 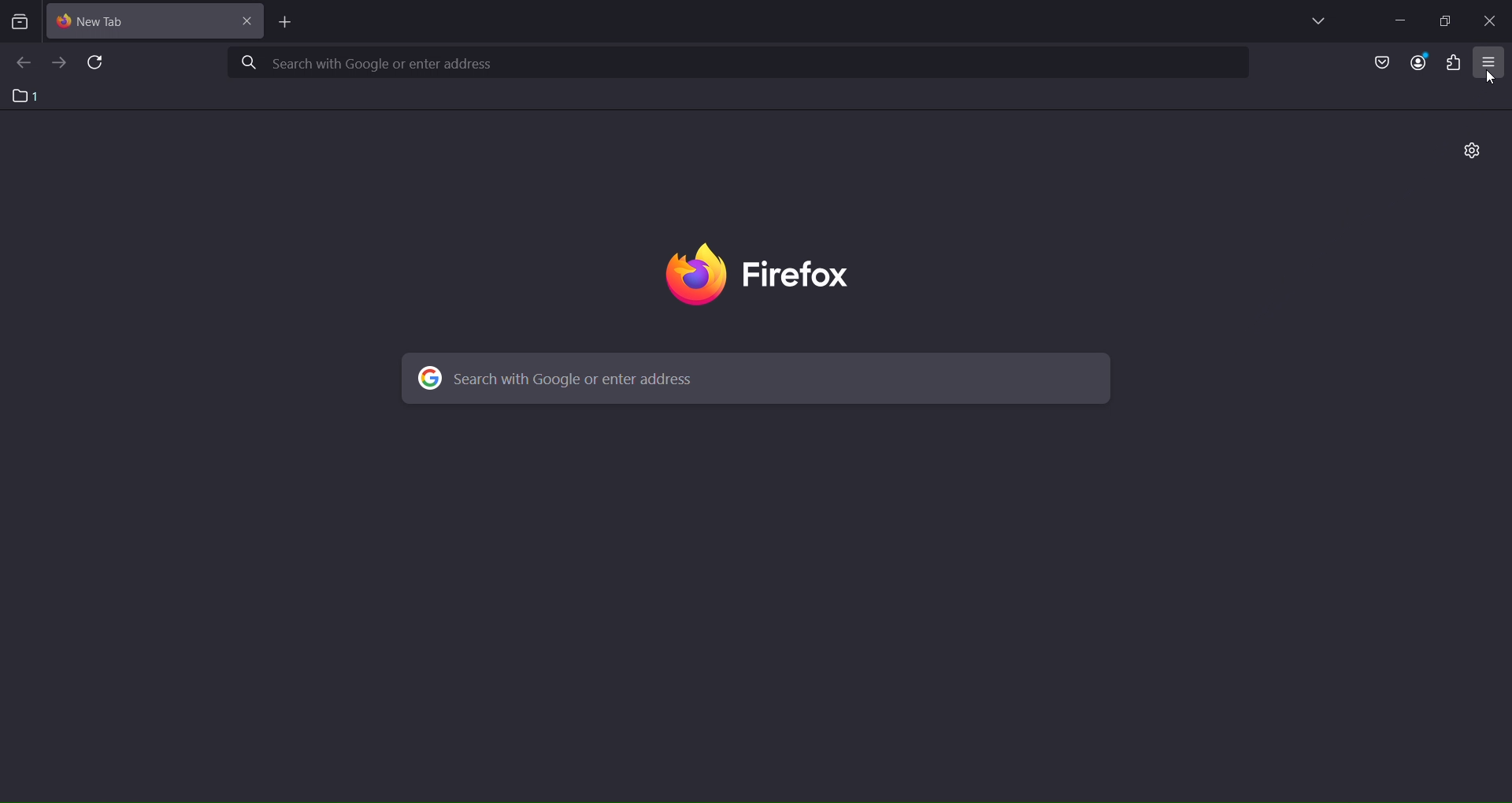 What do you see at coordinates (106, 22) in the screenshot?
I see `current tab` at bounding box center [106, 22].